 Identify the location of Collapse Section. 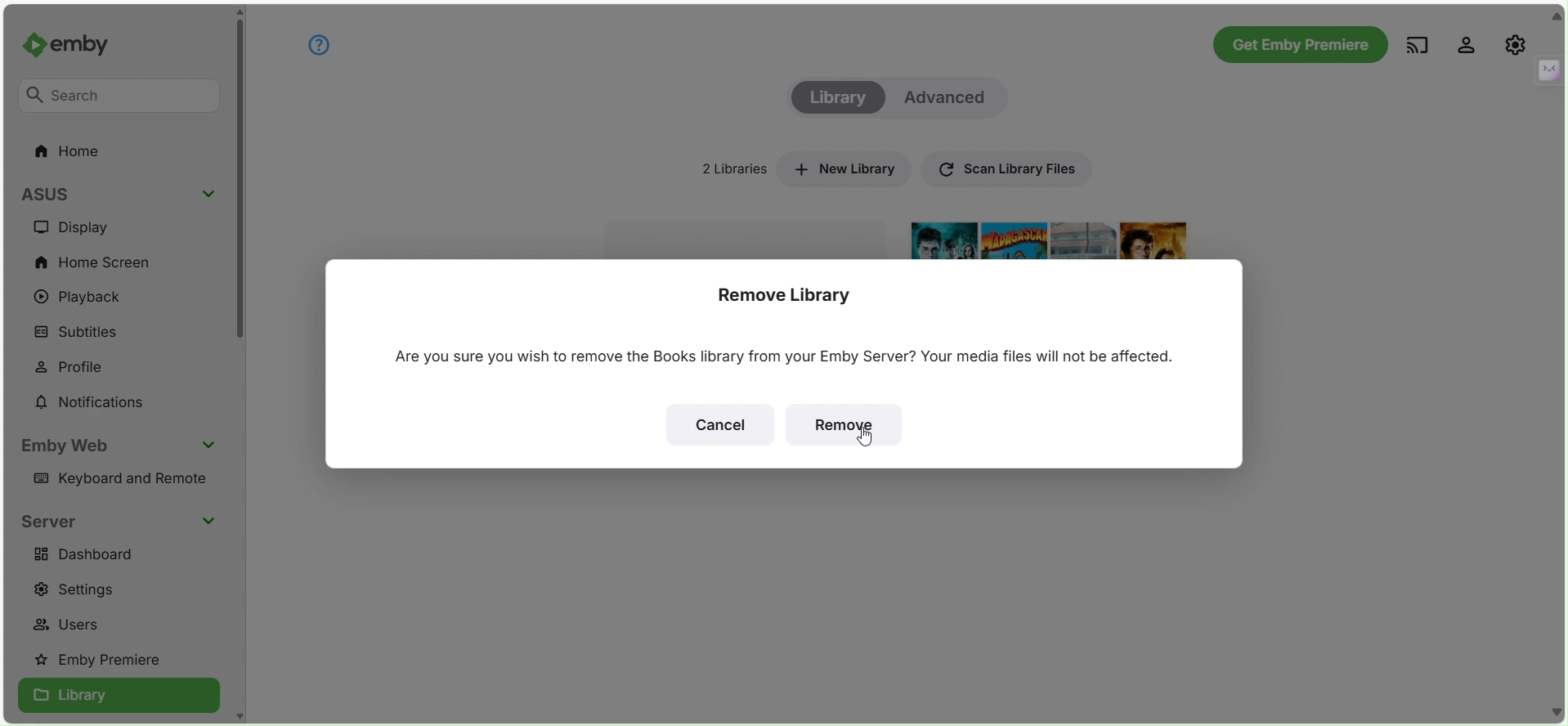
(208, 520).